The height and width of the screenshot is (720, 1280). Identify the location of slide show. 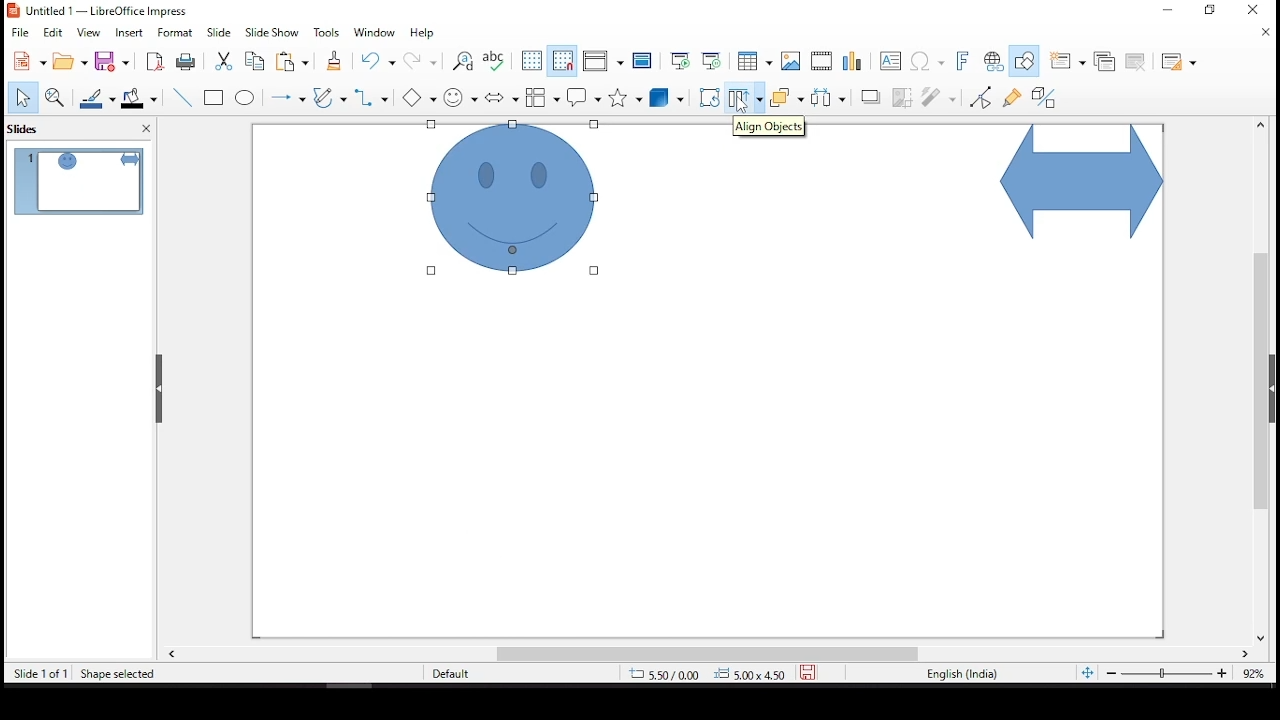
(270, 31).